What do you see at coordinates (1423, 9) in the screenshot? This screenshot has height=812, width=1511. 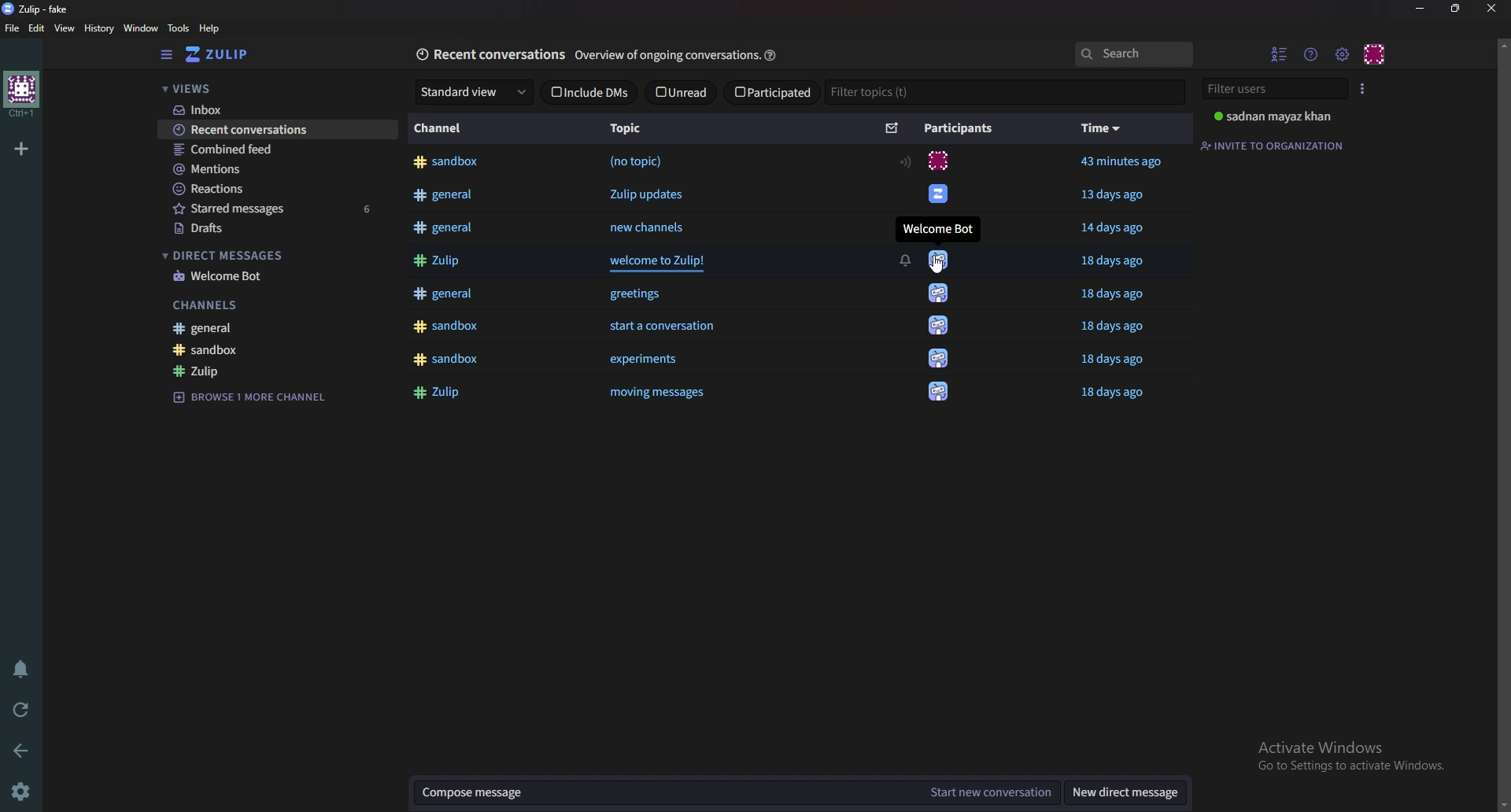 I see `Minimize` at bounding box center [1423, 9].